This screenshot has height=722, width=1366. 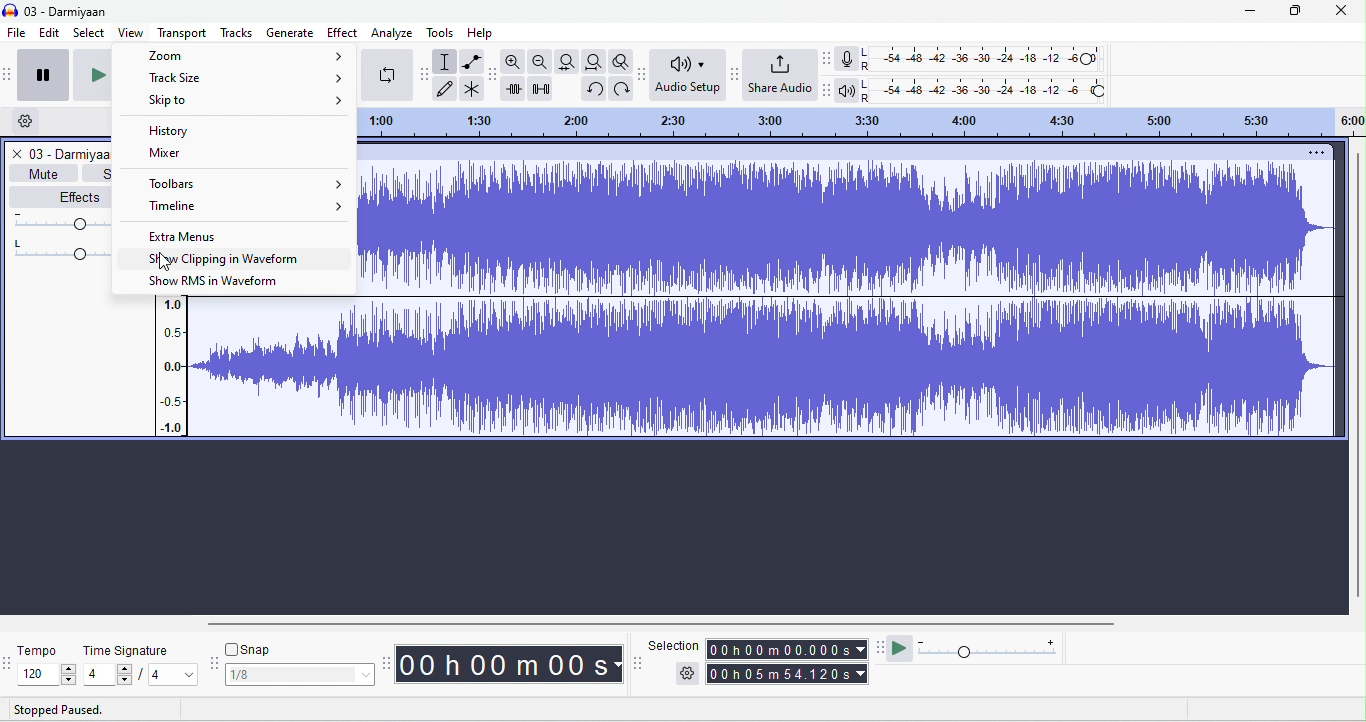 What do you see at coordinates (53, 711) in the screenshot?
I see `stopped paused` at bounding box center [53, 711].